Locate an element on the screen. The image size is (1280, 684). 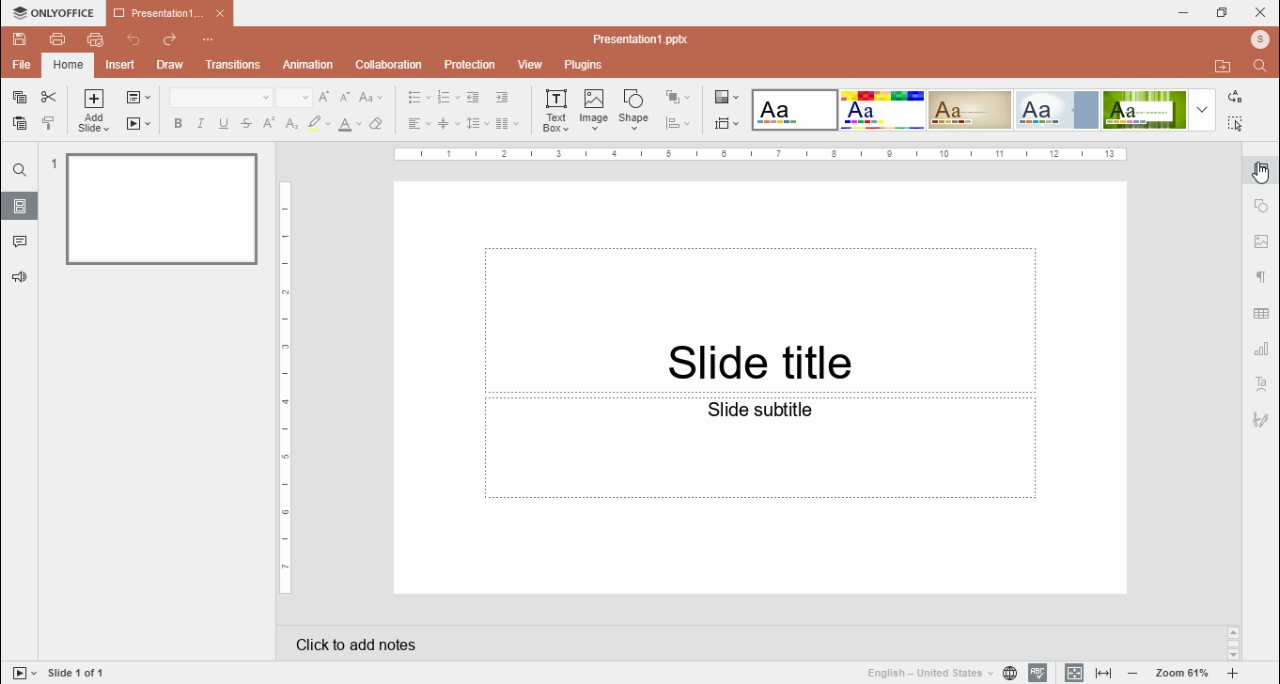
plugins is located at coordinates (585, 66).